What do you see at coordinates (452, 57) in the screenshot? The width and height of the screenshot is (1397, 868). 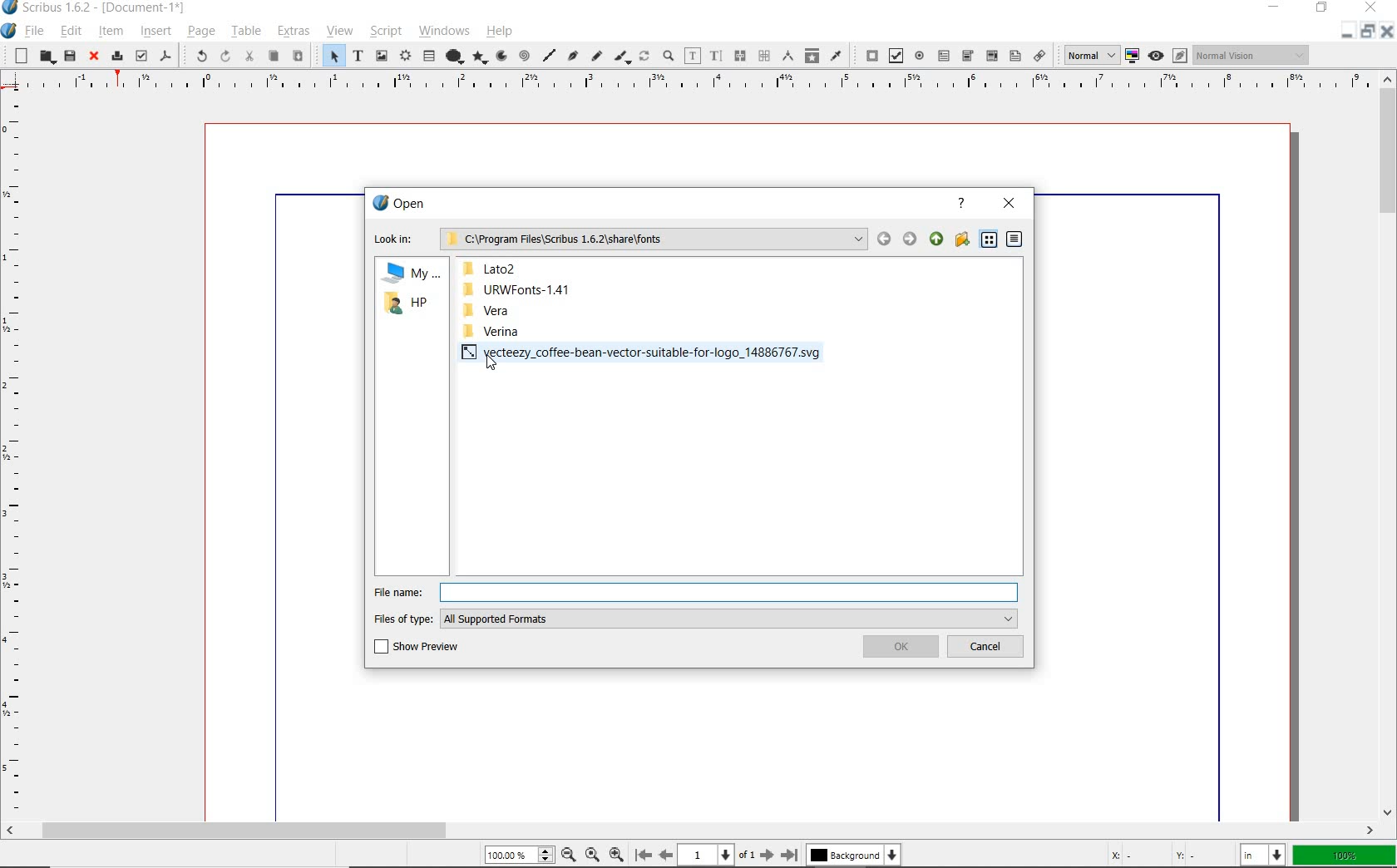 I see `shape` at bounding box center [452, 57].